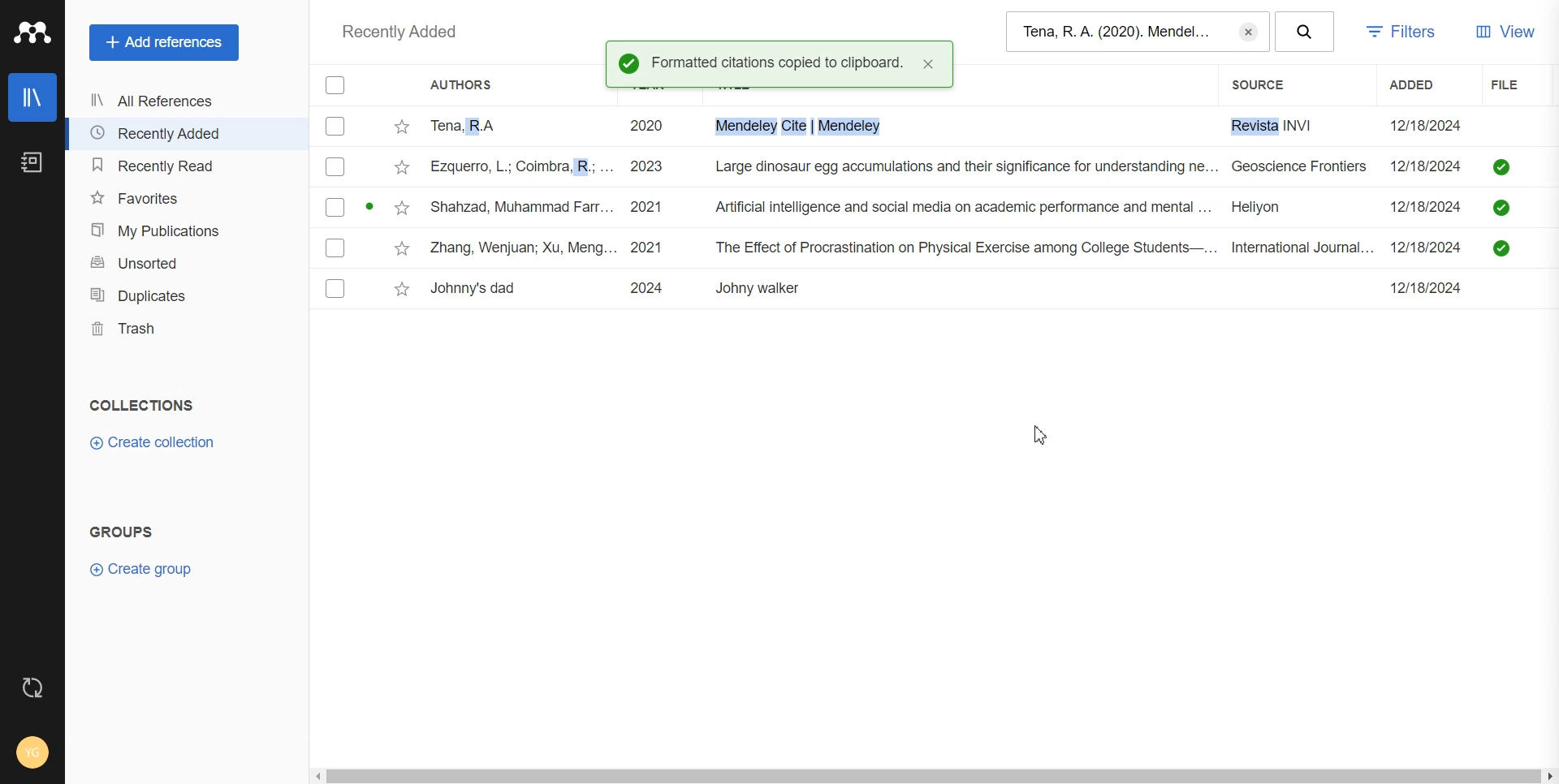 Image resolution: width=1559 pixels, height=784 pixels. I want to click on Checkbox, so click(338, 166).